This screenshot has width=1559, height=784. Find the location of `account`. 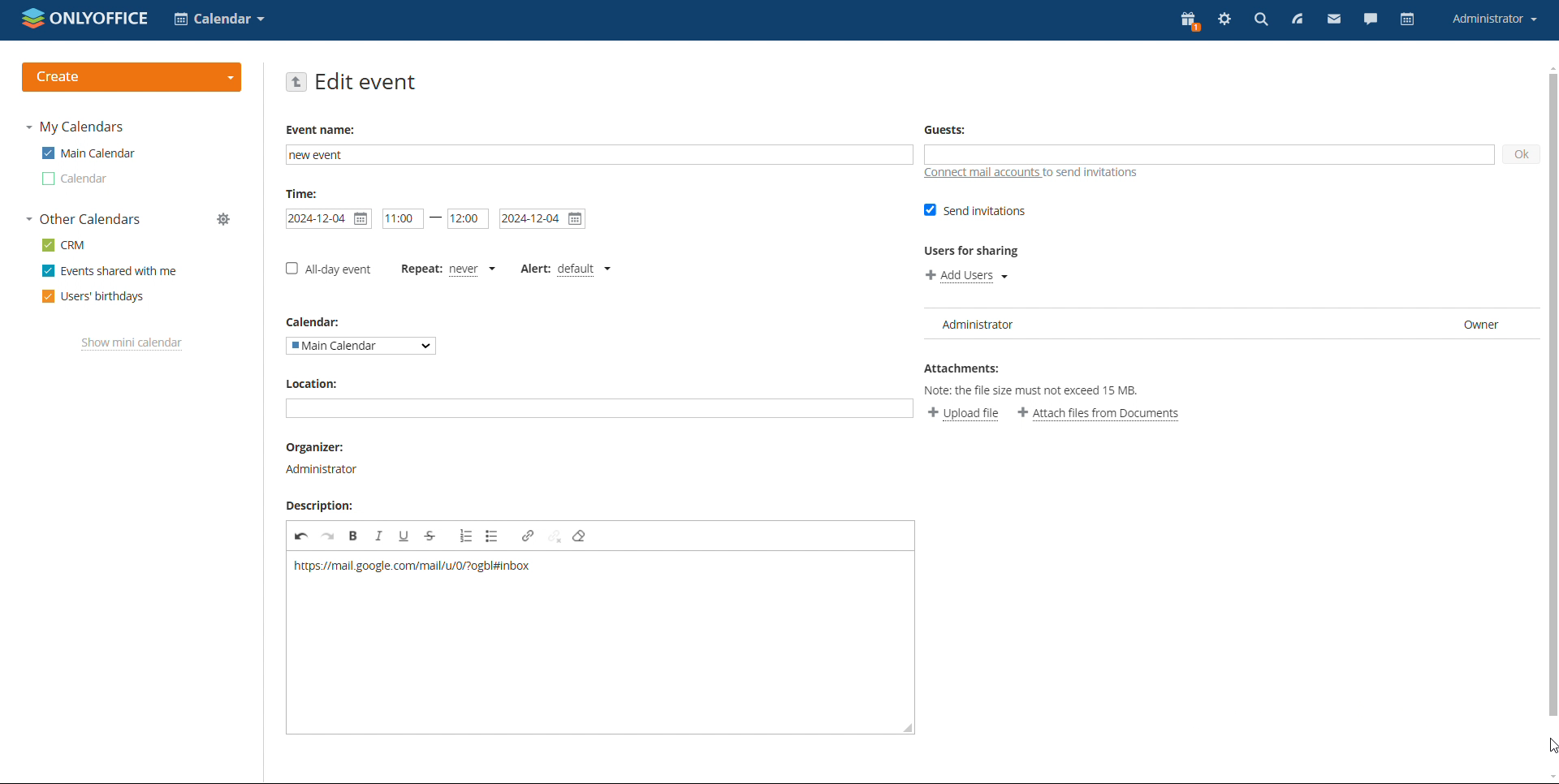

account is located at coordinates (1493, 19).